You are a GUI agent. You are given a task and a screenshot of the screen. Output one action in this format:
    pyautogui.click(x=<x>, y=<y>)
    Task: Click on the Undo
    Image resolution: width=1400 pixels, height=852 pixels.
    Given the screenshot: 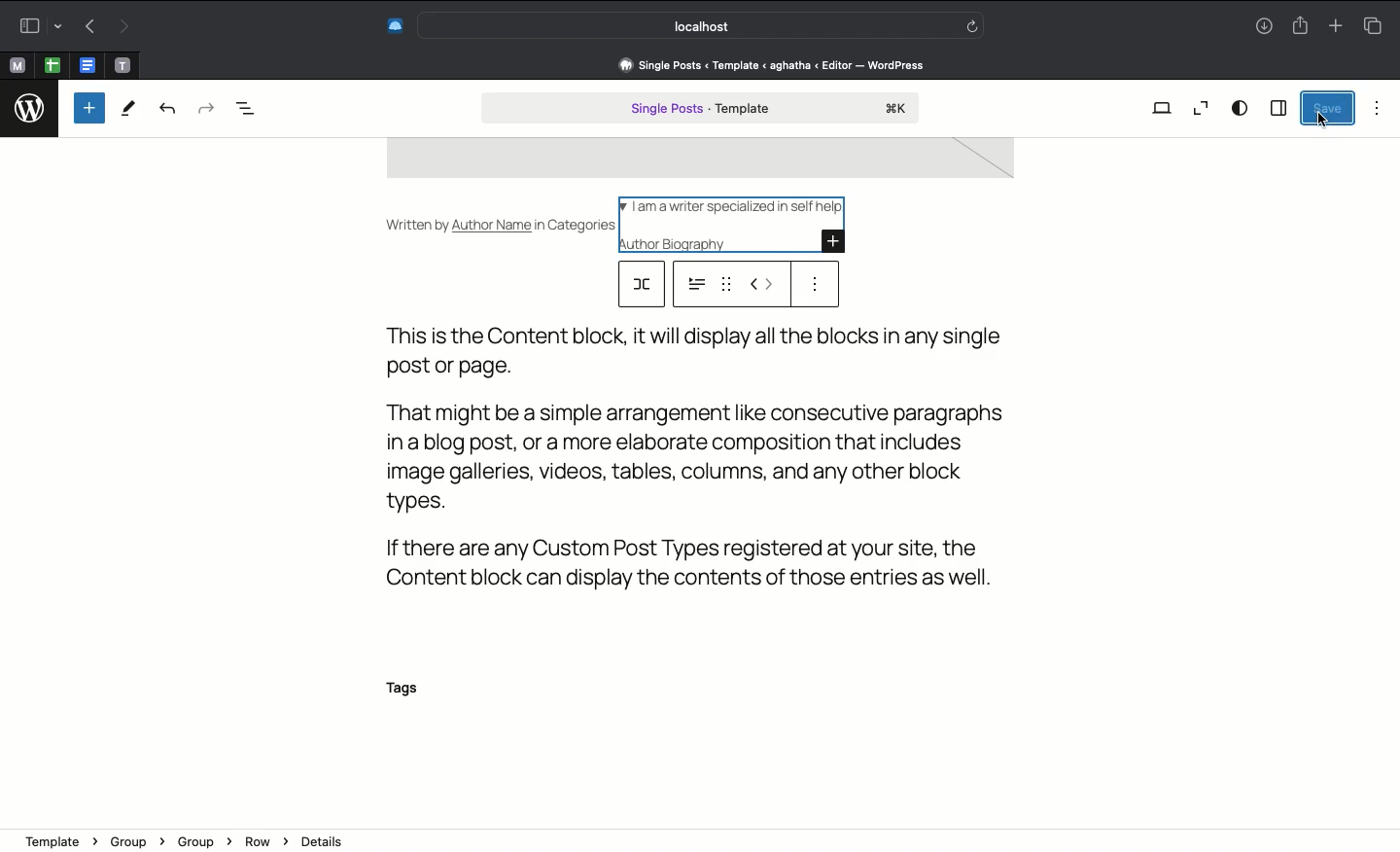 What is the action you would take?
    pyautogui.click(x=167, y=110)
    